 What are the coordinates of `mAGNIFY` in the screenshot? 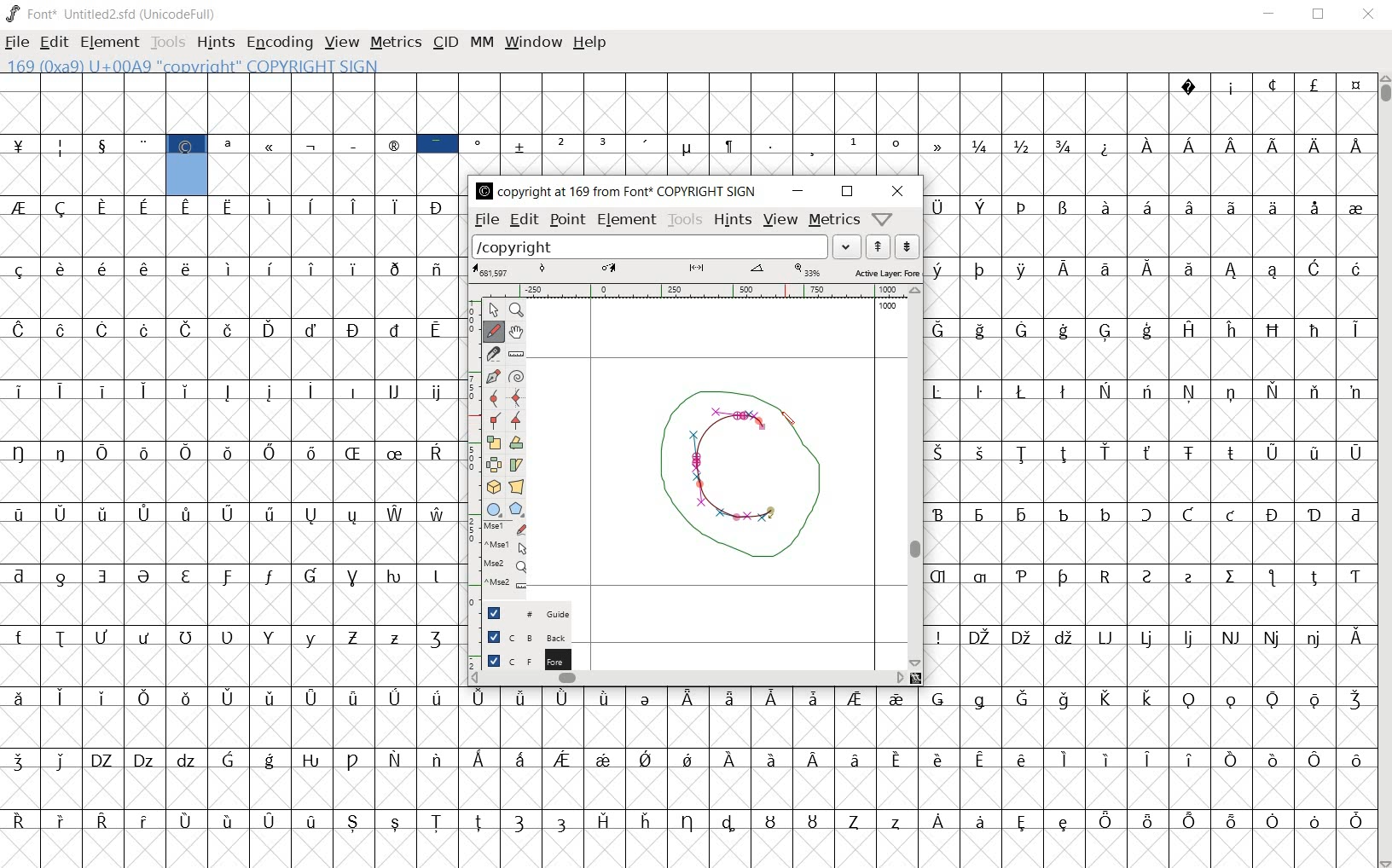 It's located at (516, 310).